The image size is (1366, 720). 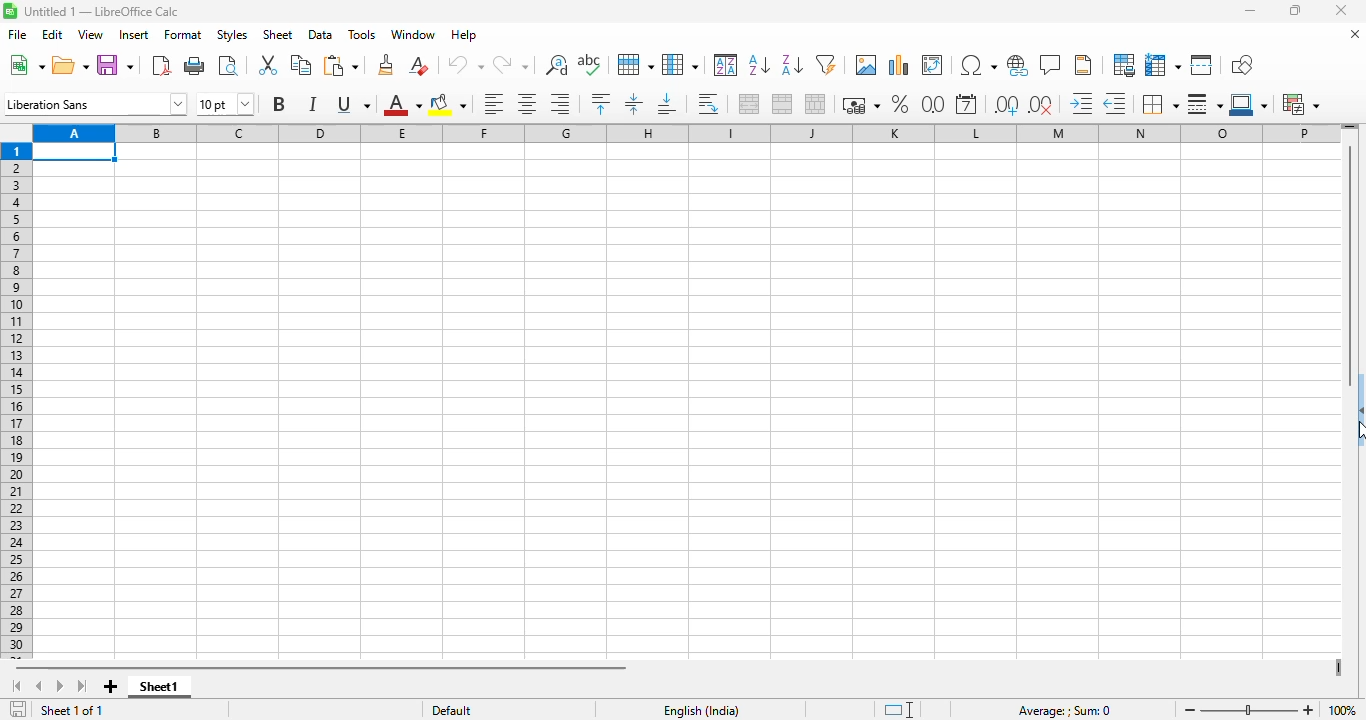 What do you see at coordinates (1302, 104) in the screenshot?
I see `conditional` at bounding box center [1302, 104].